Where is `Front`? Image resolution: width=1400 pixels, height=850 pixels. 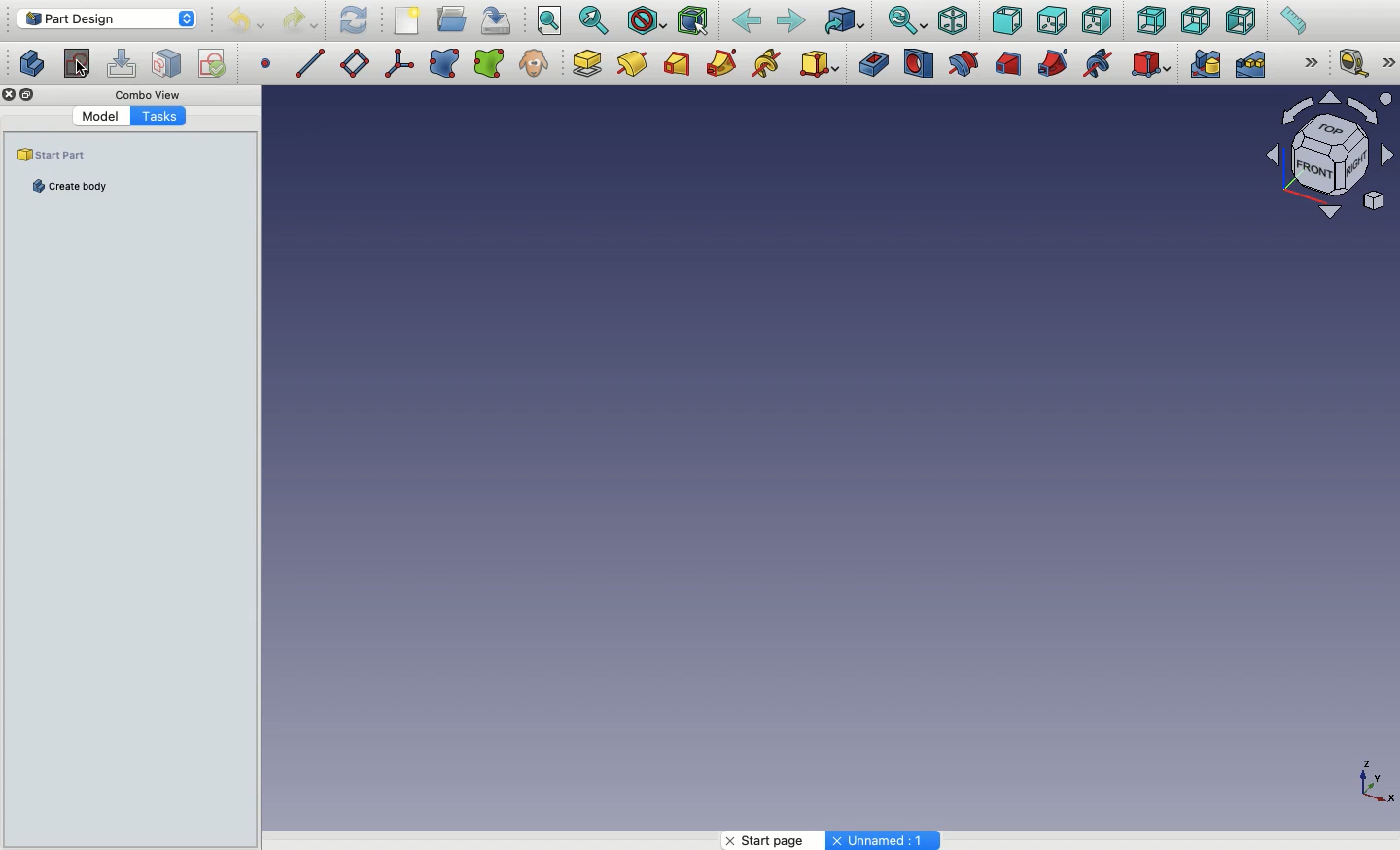
Front is located at coordinates (1007, 22).